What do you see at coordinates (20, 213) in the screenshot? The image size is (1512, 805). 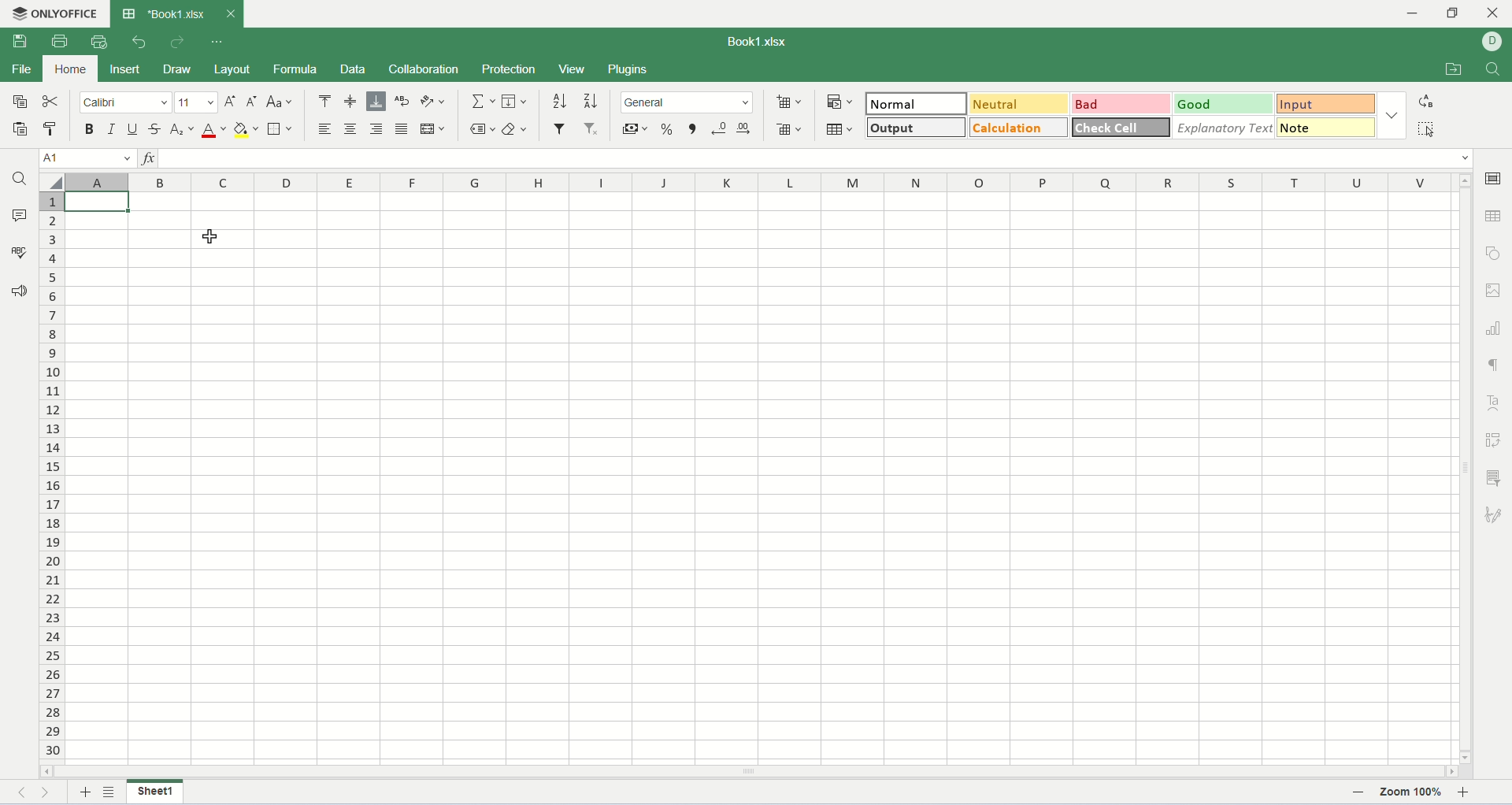 I see `comments` at bounding box center [20, 213].